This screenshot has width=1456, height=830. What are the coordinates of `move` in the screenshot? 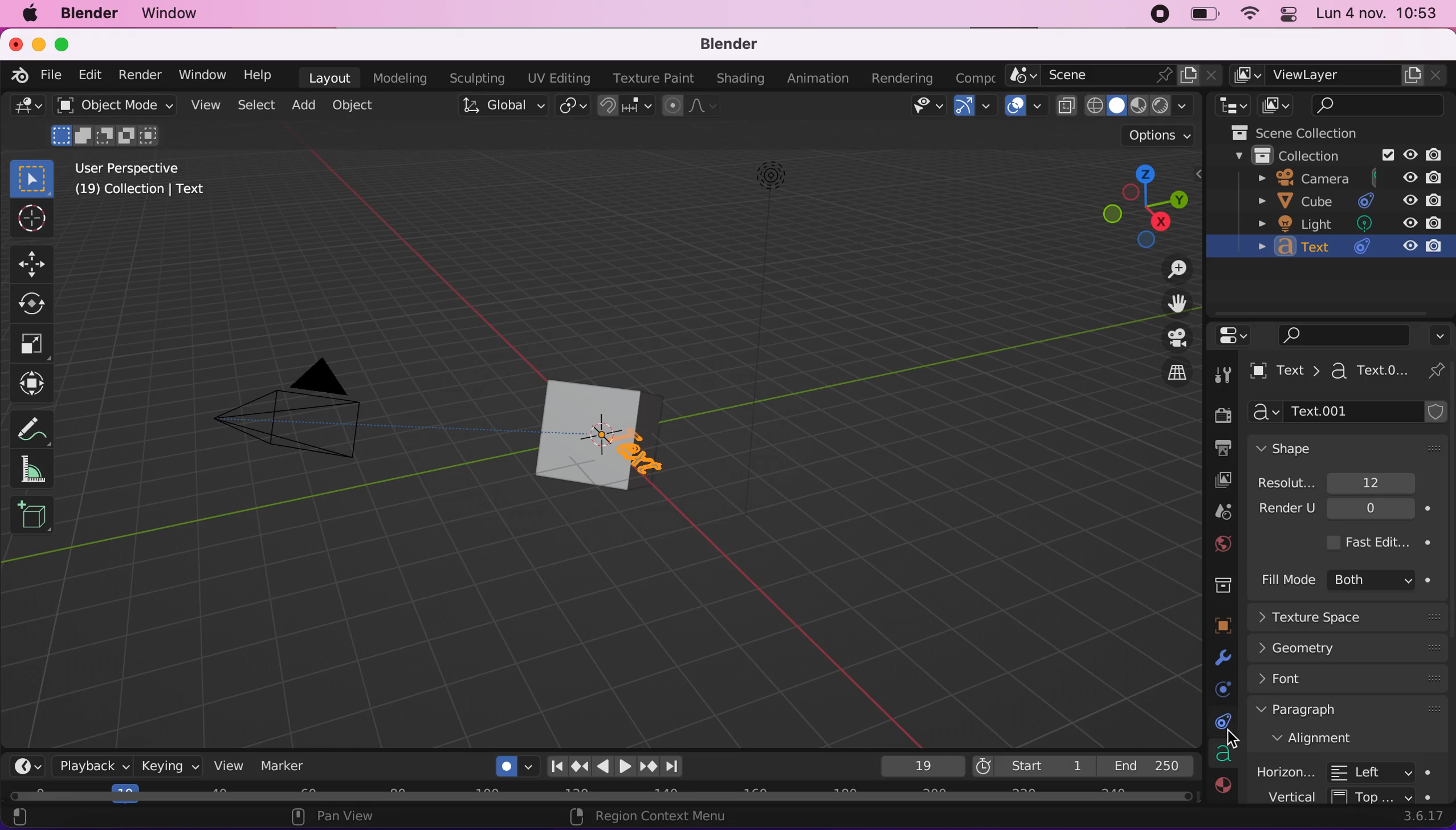 It's located at (39, 263).